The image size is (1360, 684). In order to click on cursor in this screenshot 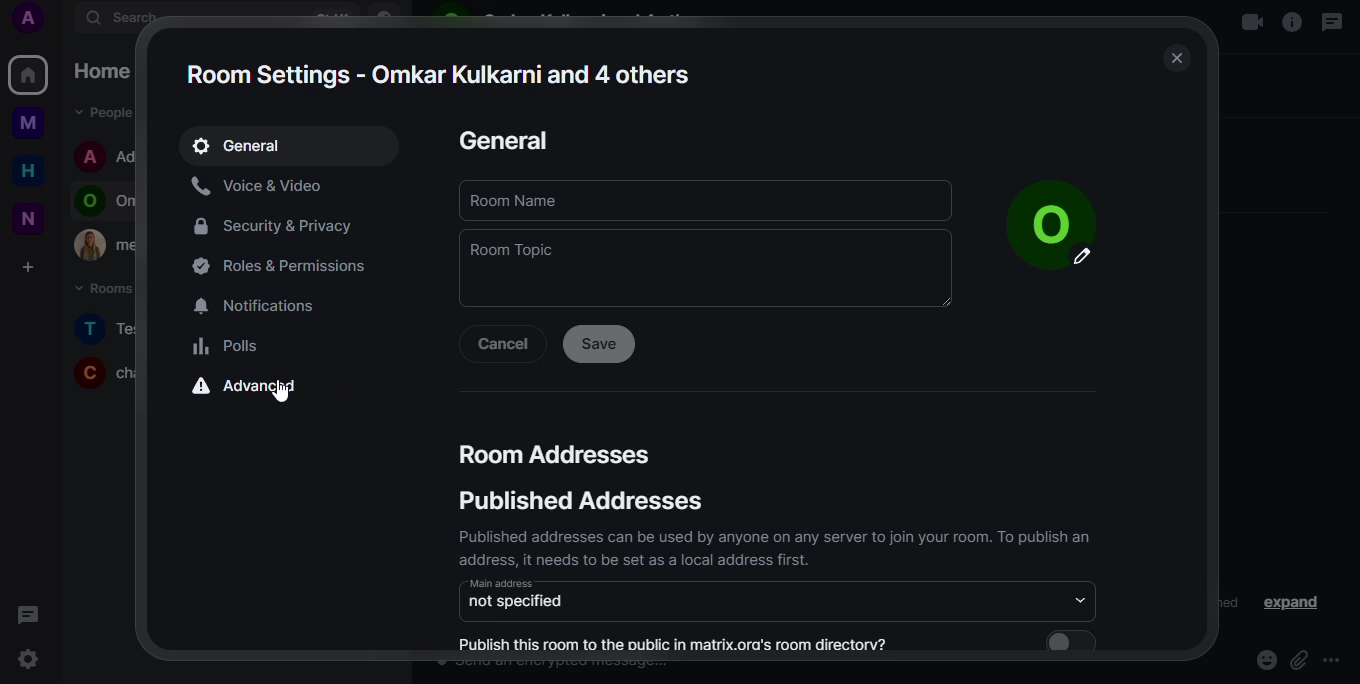, I will do `click(282, 399)`.